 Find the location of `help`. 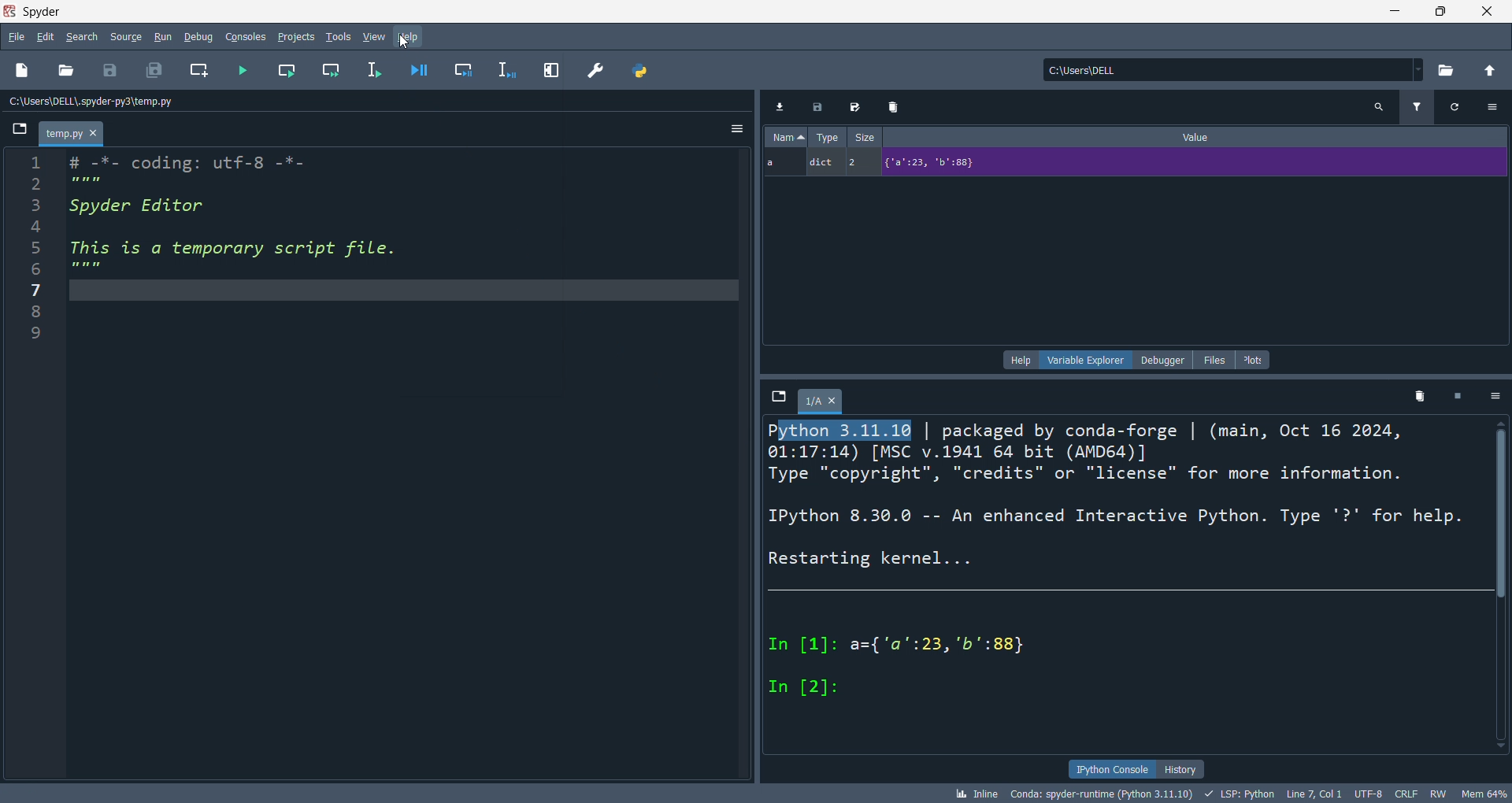

help is located at coordinates (409, 37).